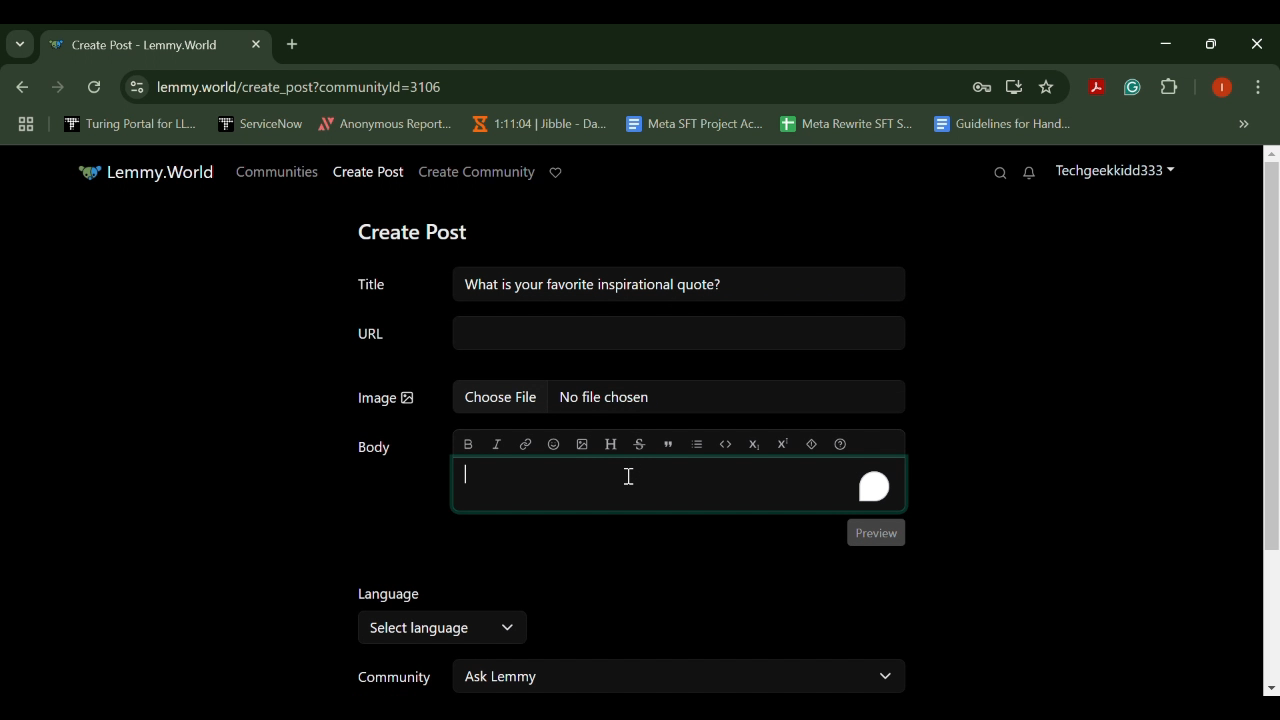 The height and width of the screenshot is (720, 1280). What do you see at coordinates (1096, 88) in the screenshot?
I see `Acrobat Extension` at bounding box center [1096, 88].